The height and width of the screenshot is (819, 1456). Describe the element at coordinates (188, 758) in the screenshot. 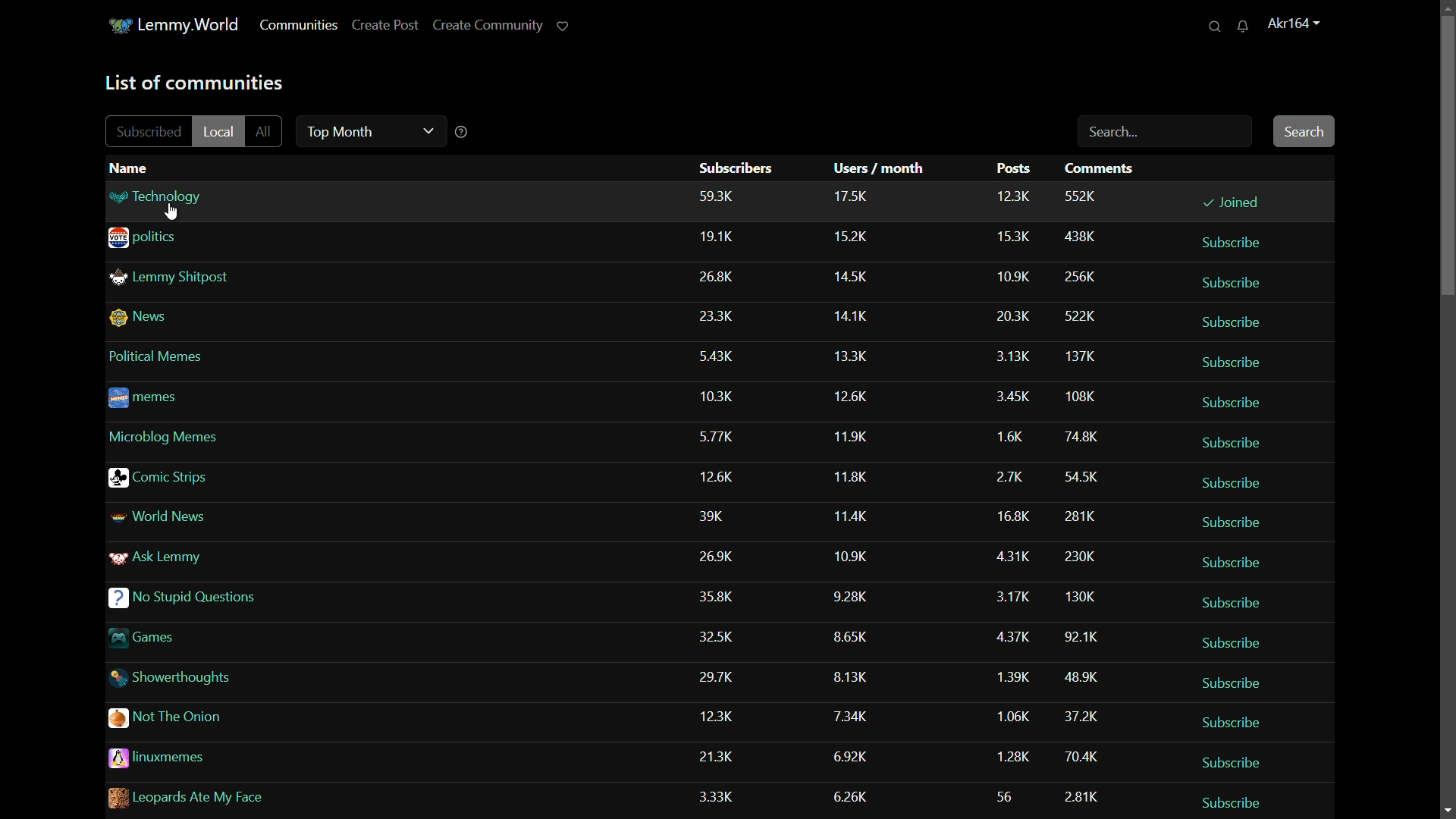

I see `communities name` at that location.